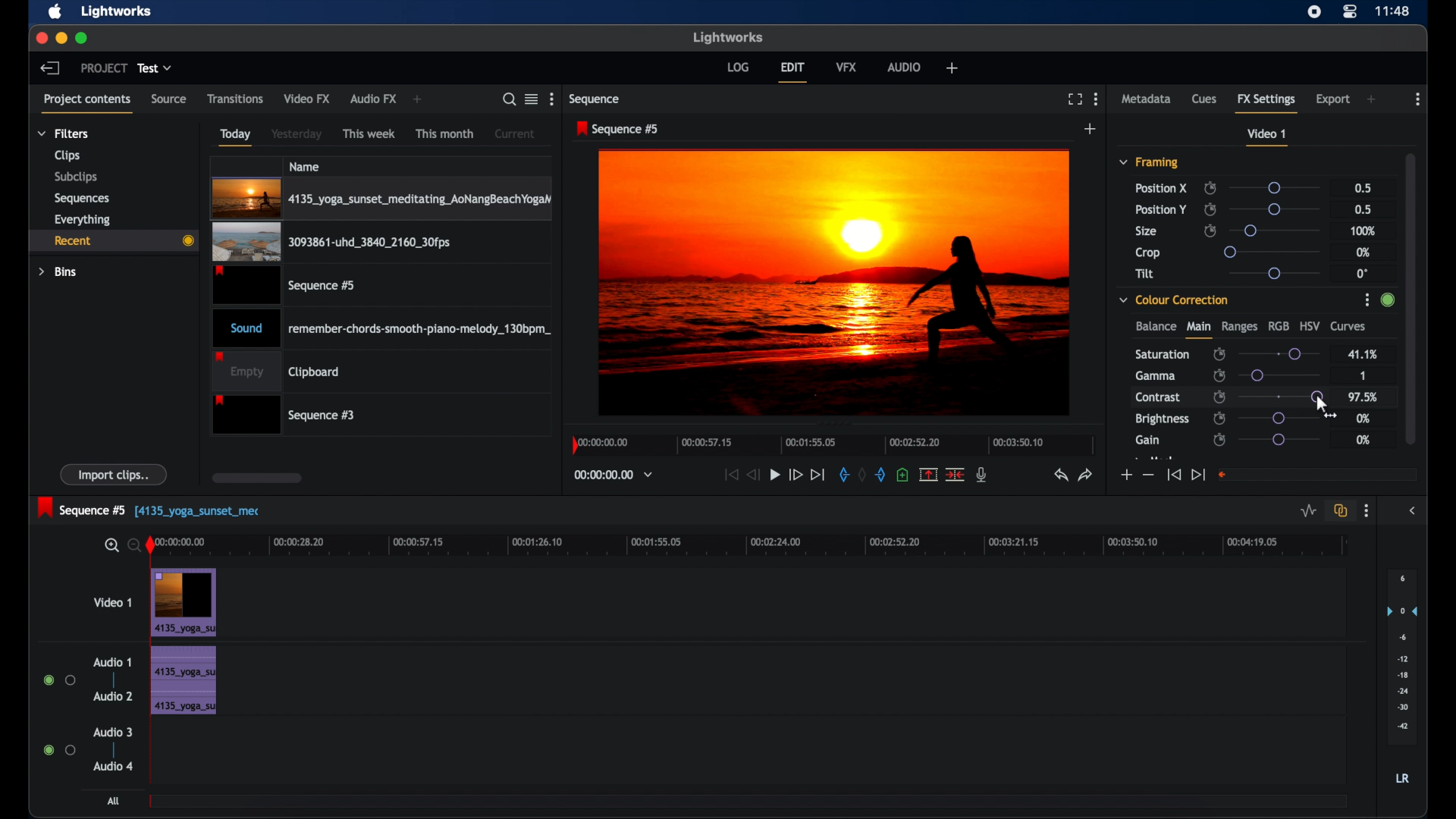 This screenshot has height=819, width=1456. Describe the element at coordinates (1362, 273) in the screenshot. I see `0` at that location.